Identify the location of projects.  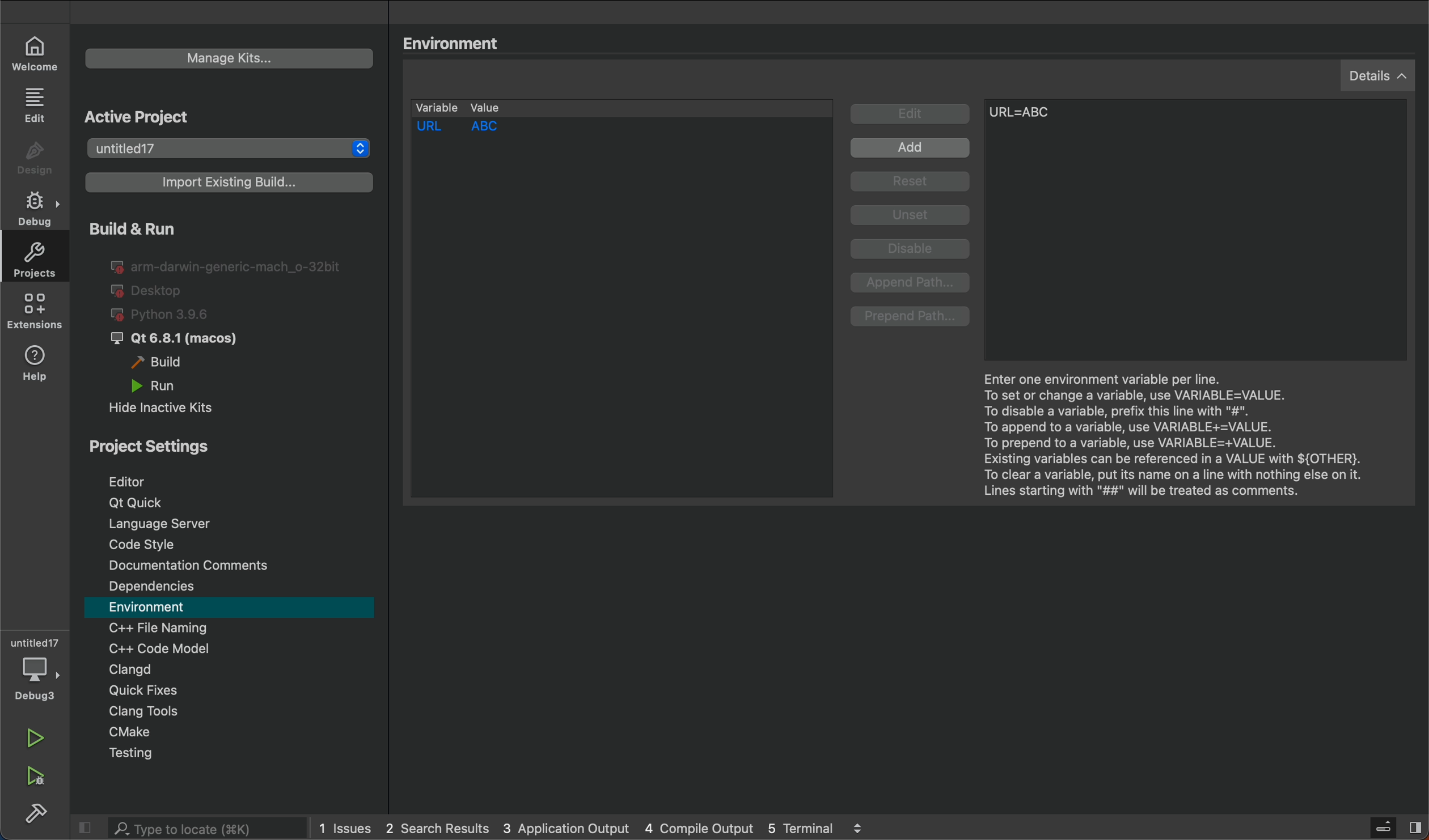
(231, 149).